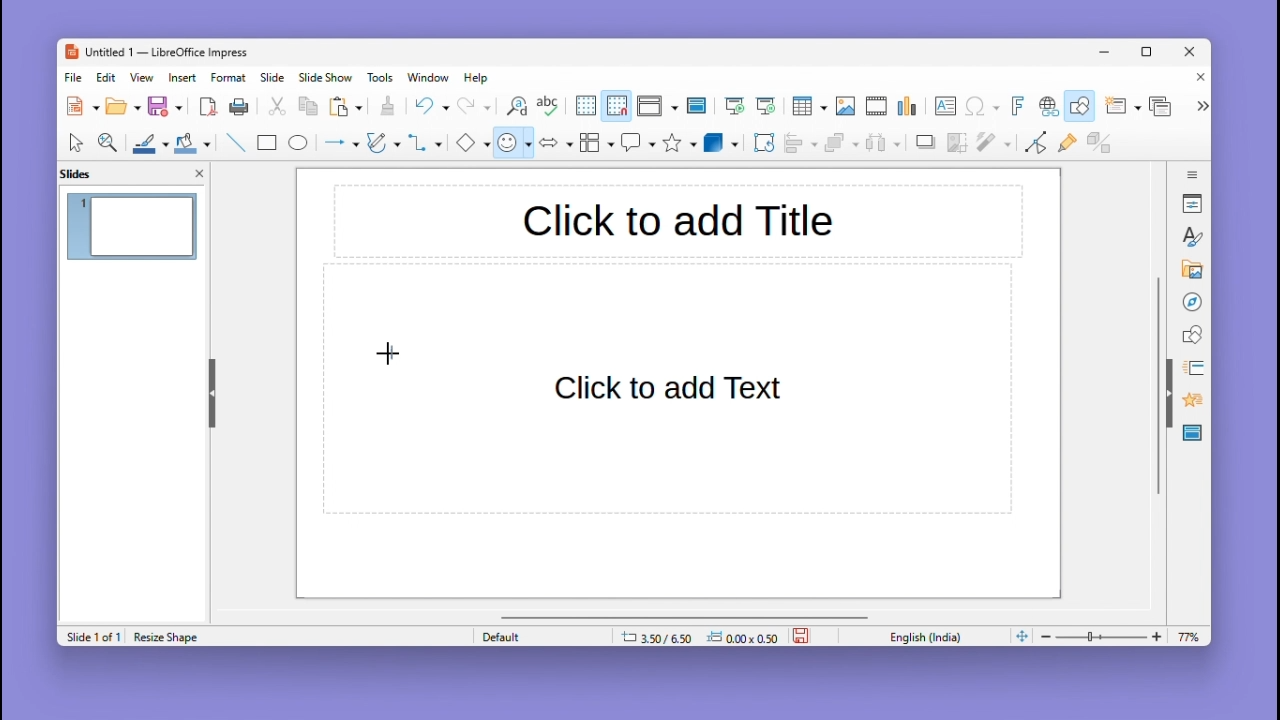 The height and width of the screenshot is (720, 1280). What do you see at coordinates (1122, 107) in the screenshot?
I see `New slide` at bounding box center [1122, 107].